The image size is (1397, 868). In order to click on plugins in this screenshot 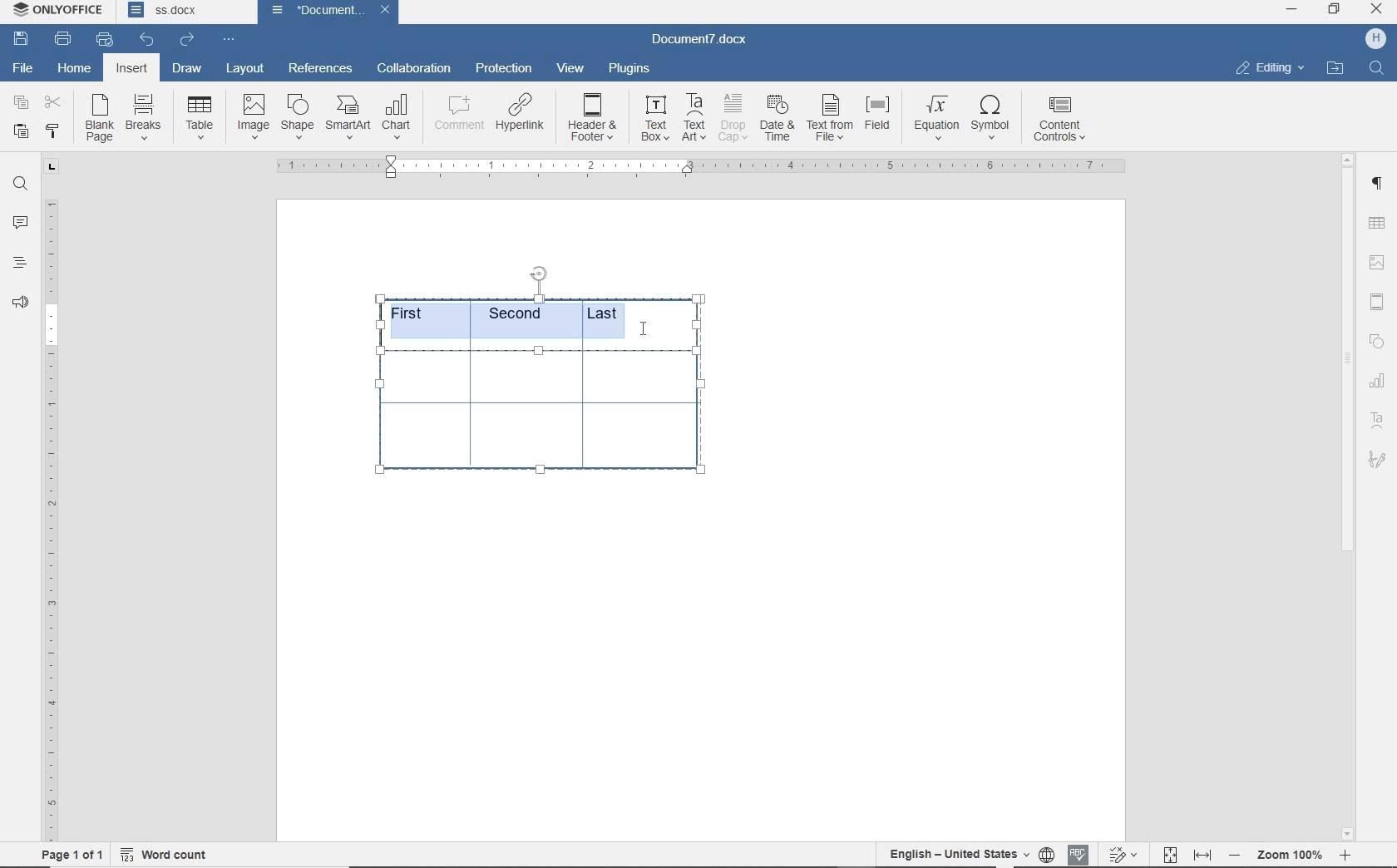, I will do `click(629, 67)`.